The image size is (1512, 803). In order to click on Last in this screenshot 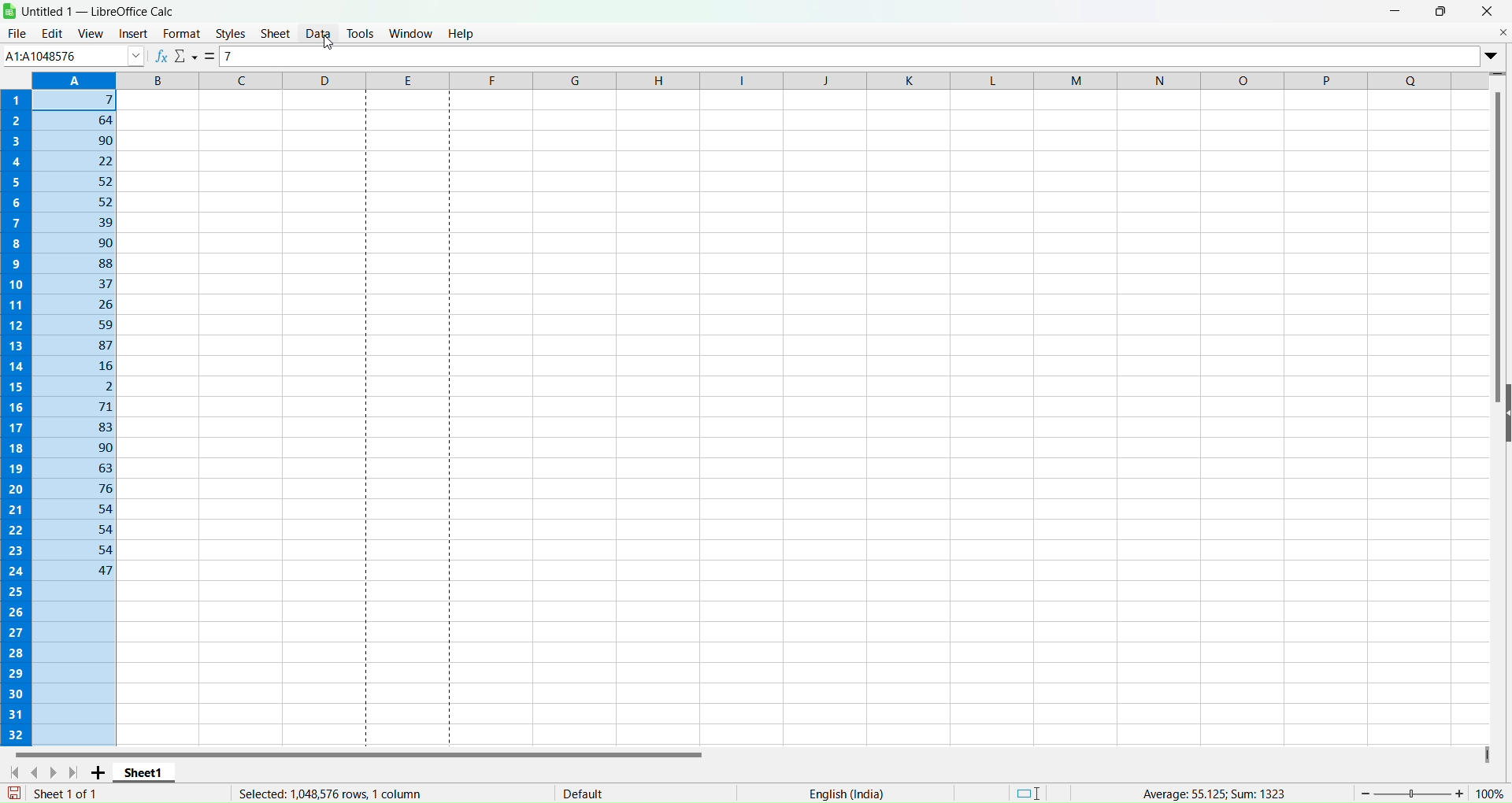, I will do `click(76, 772)`.